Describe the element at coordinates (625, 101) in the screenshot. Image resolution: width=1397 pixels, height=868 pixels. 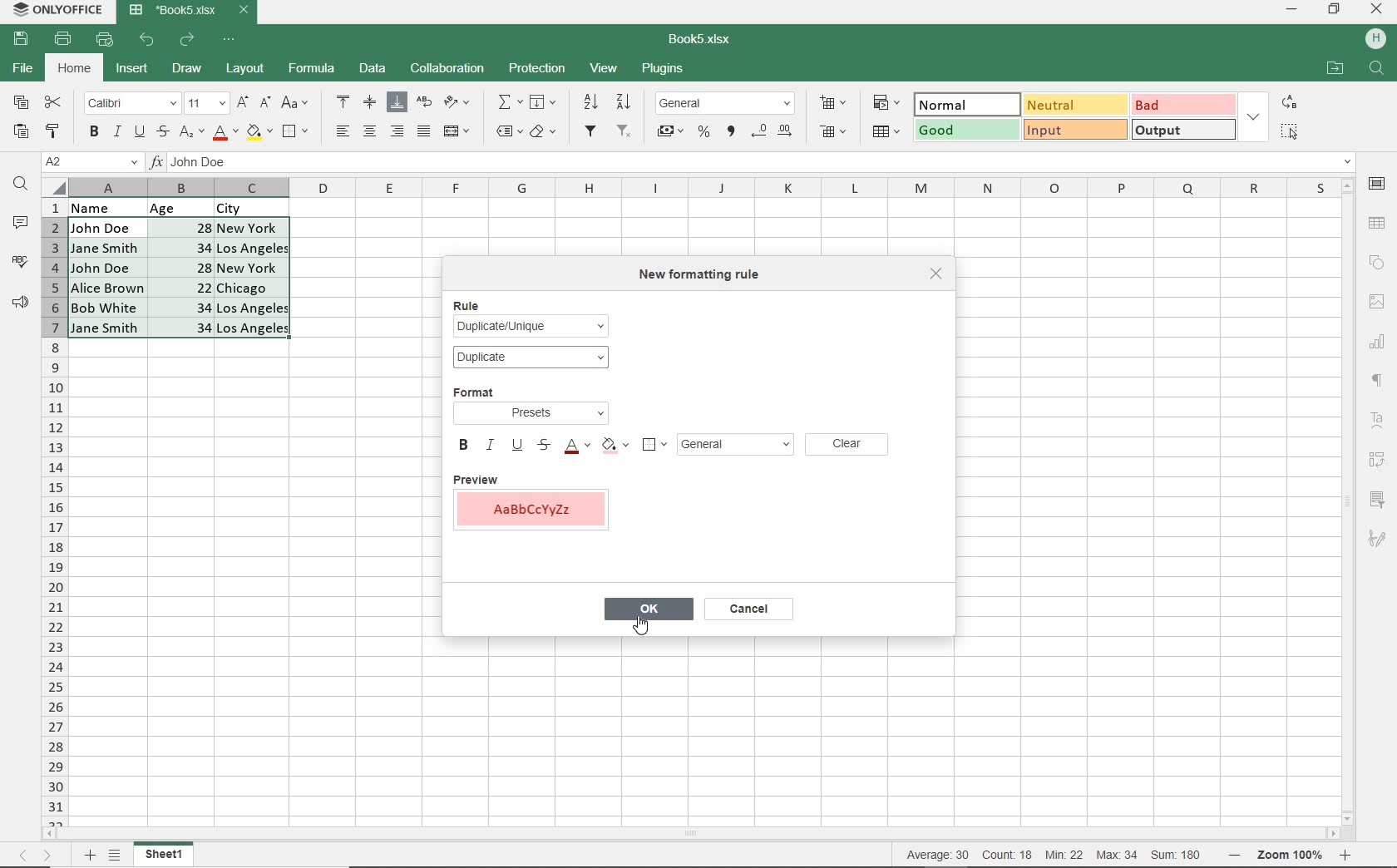
I see `SORT DESCENDING` at that location.